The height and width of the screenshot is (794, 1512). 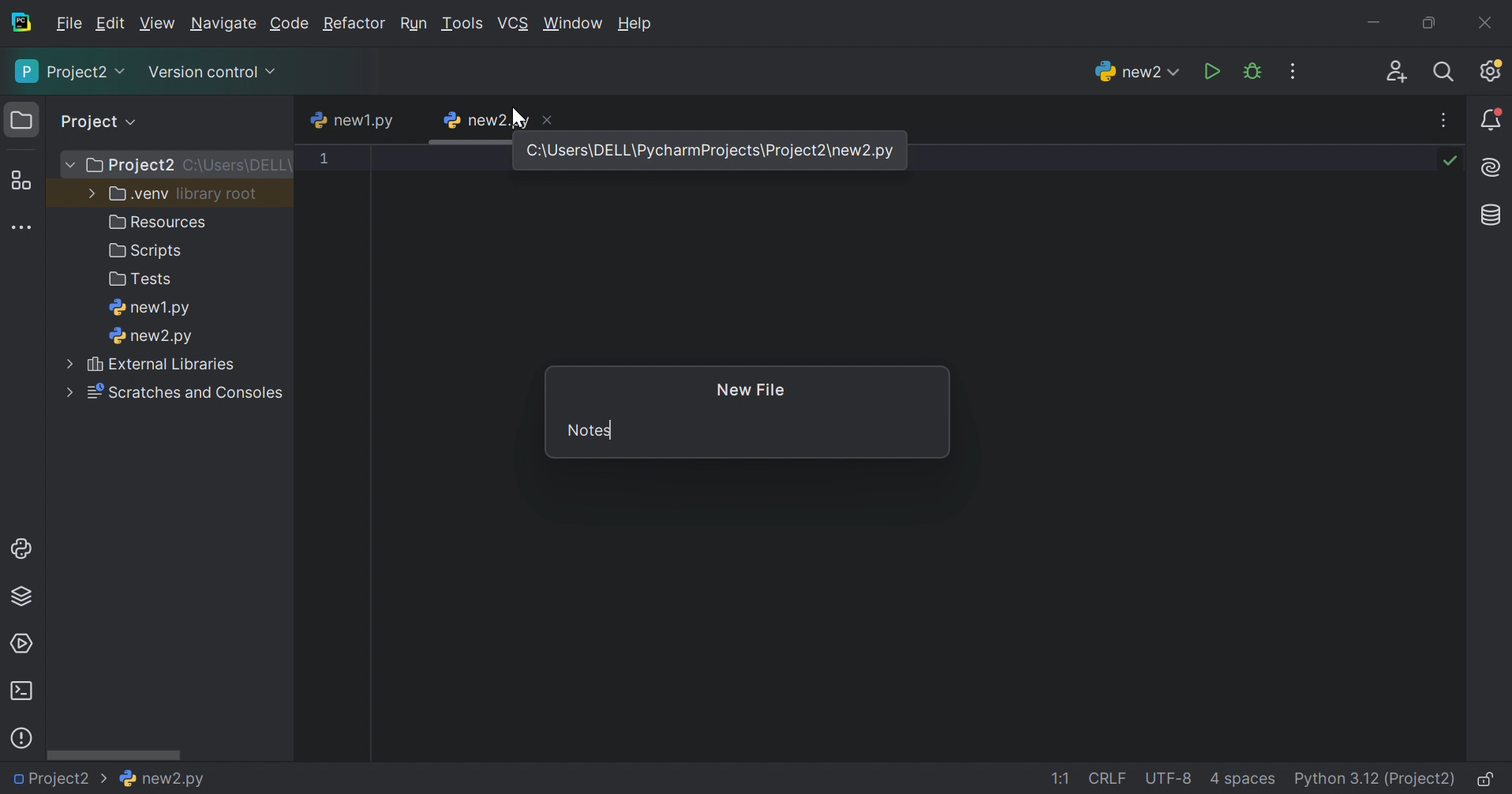 What do you see at coordinates (157, 23) in the screenshot?
I see `View` at bounding box center [157, 23].